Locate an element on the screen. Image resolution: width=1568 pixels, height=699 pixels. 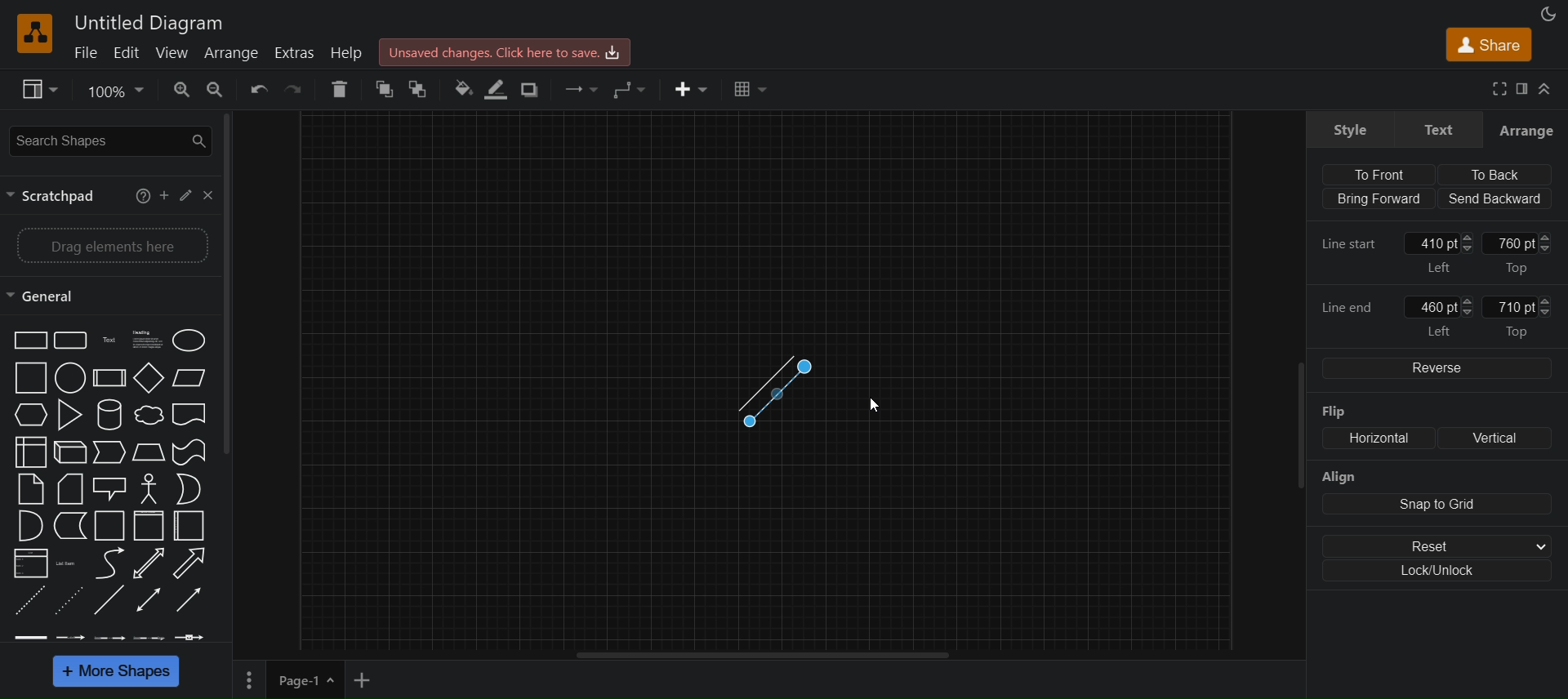
drag elements here is located at coordinates (110, 243).